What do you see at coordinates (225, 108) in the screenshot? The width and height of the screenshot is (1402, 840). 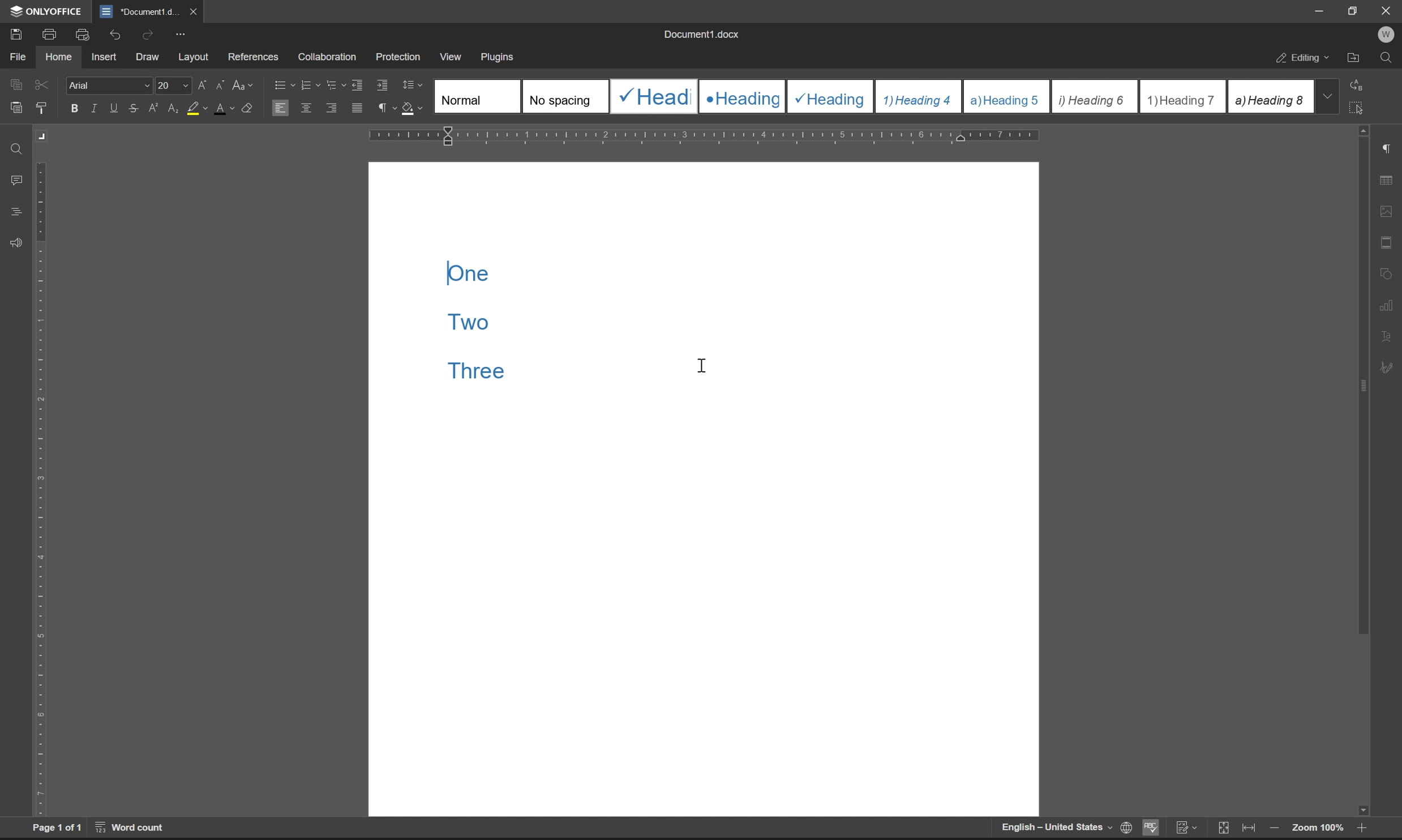 I see `font color` at bounding box center [225, 108].